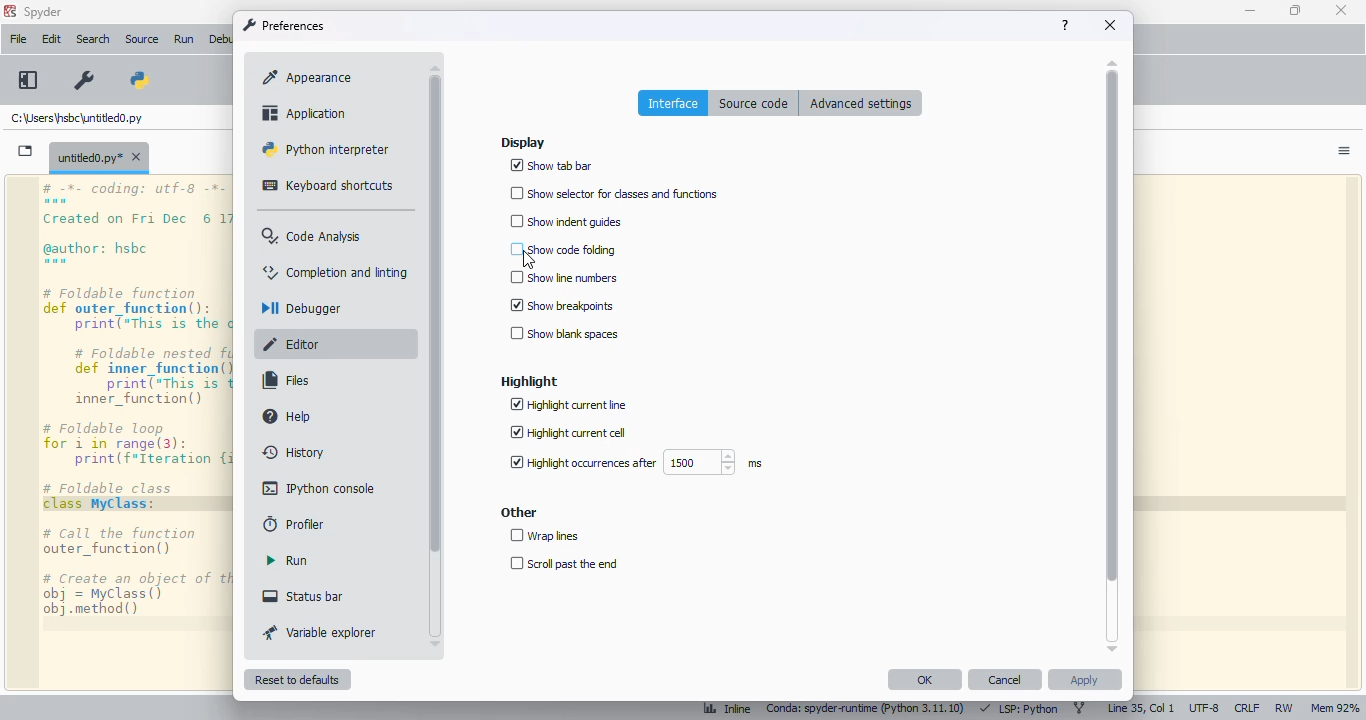 The image size is (1366, 720). I want to click on help, so click(289, 416).